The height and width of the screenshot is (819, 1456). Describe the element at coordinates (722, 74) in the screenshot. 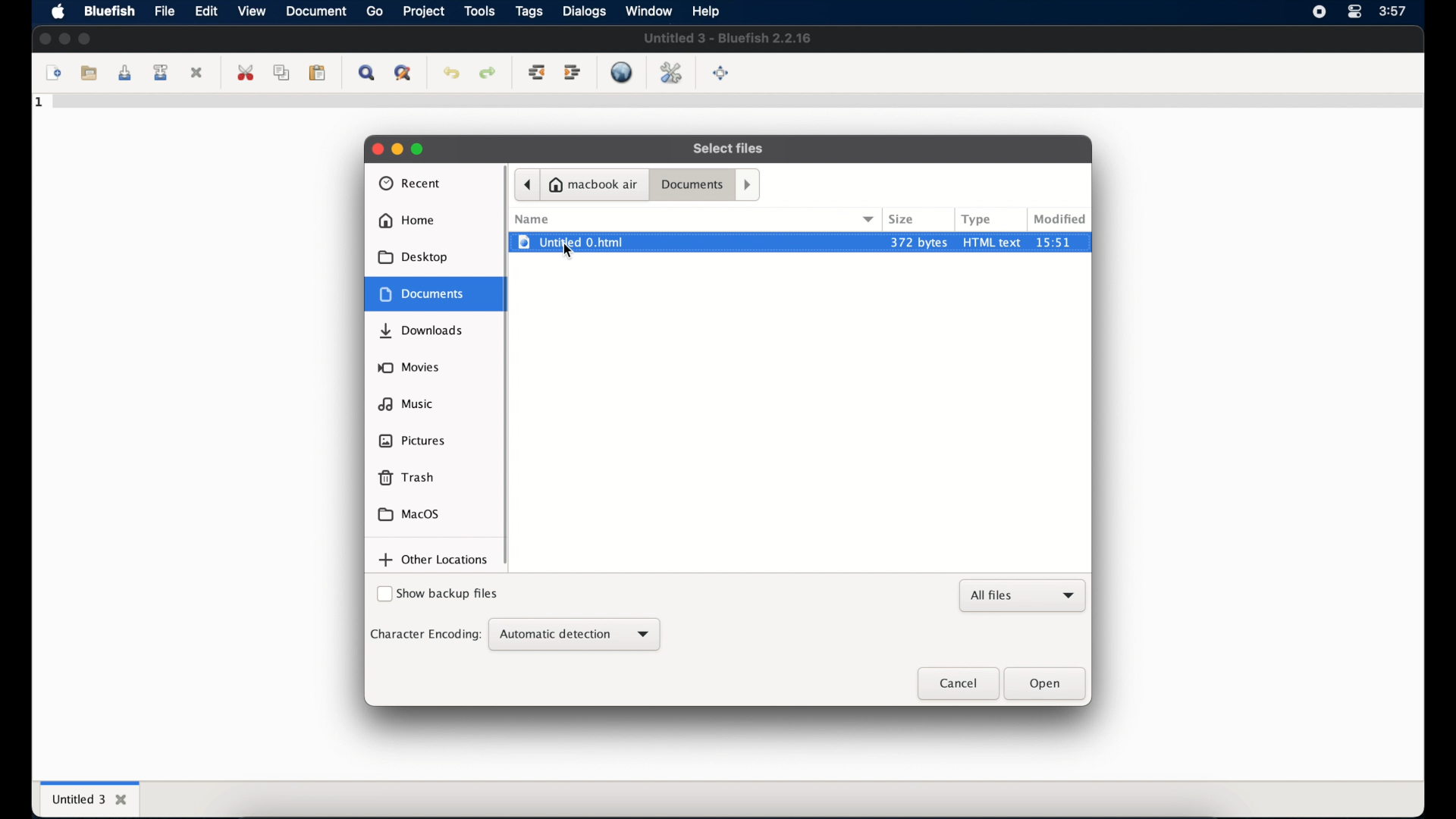

I see `full screen` at that location.